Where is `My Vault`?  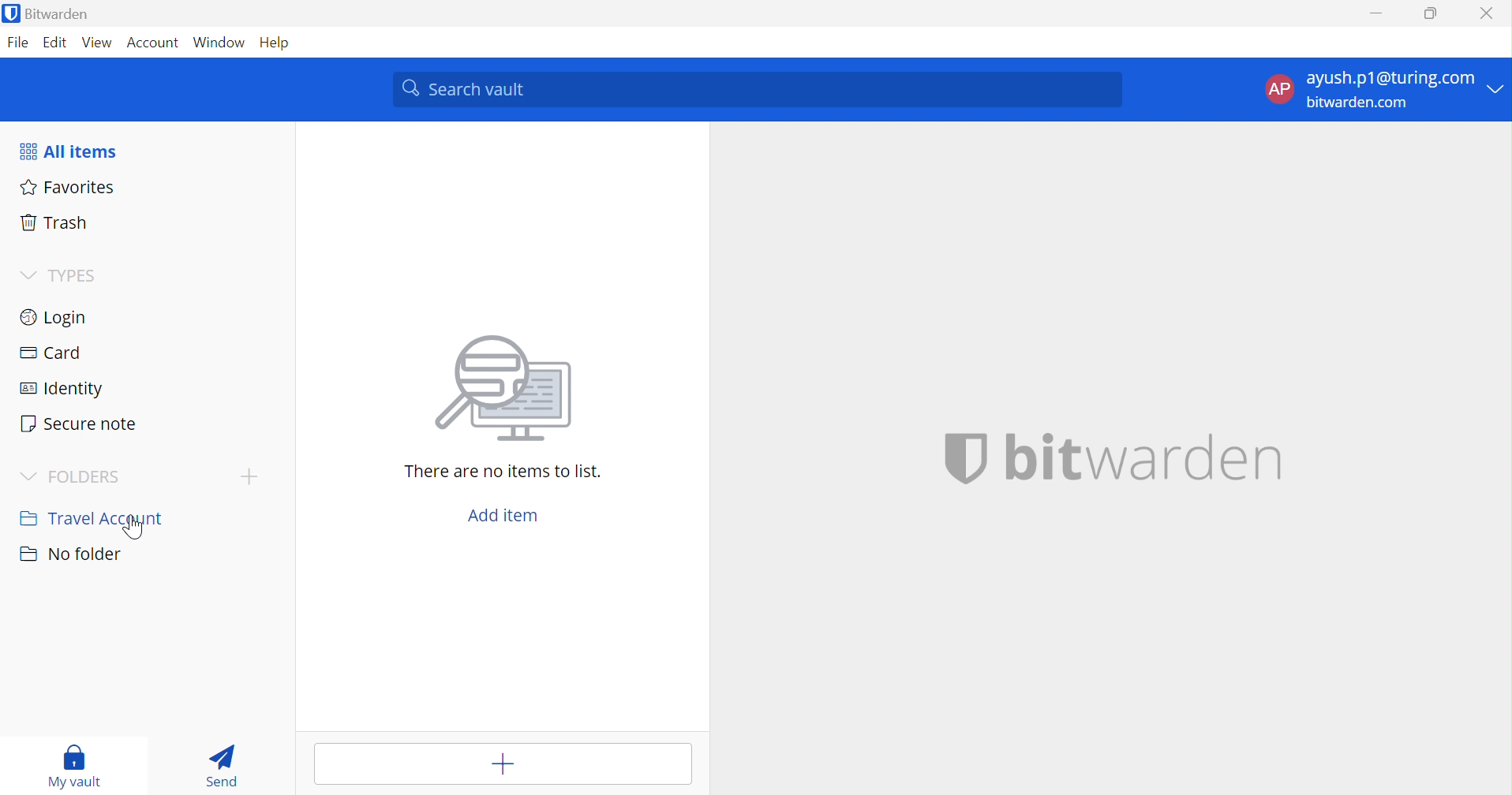
My Vault is located at coordinates (78, 768).